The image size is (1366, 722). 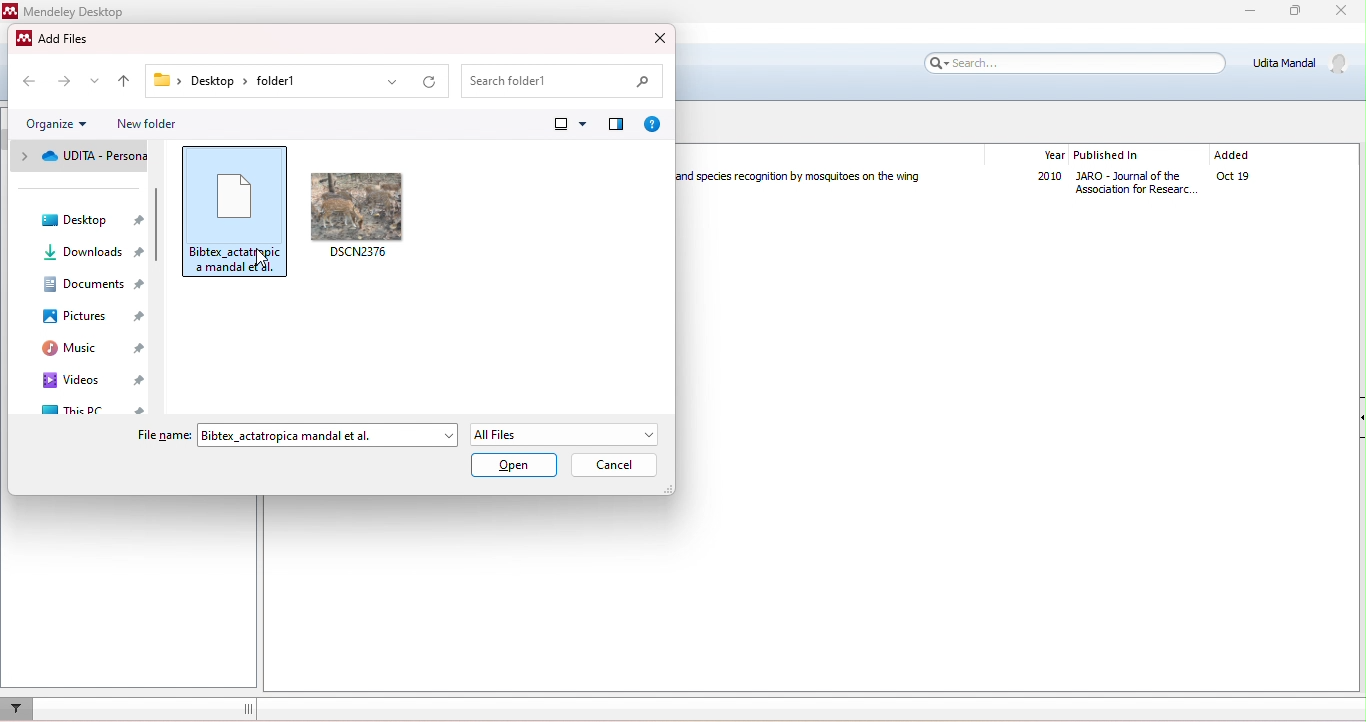 What do you see at coordinates (164, 435) in the screenshot?
I see `File name:` at bounding box center [164, 435].